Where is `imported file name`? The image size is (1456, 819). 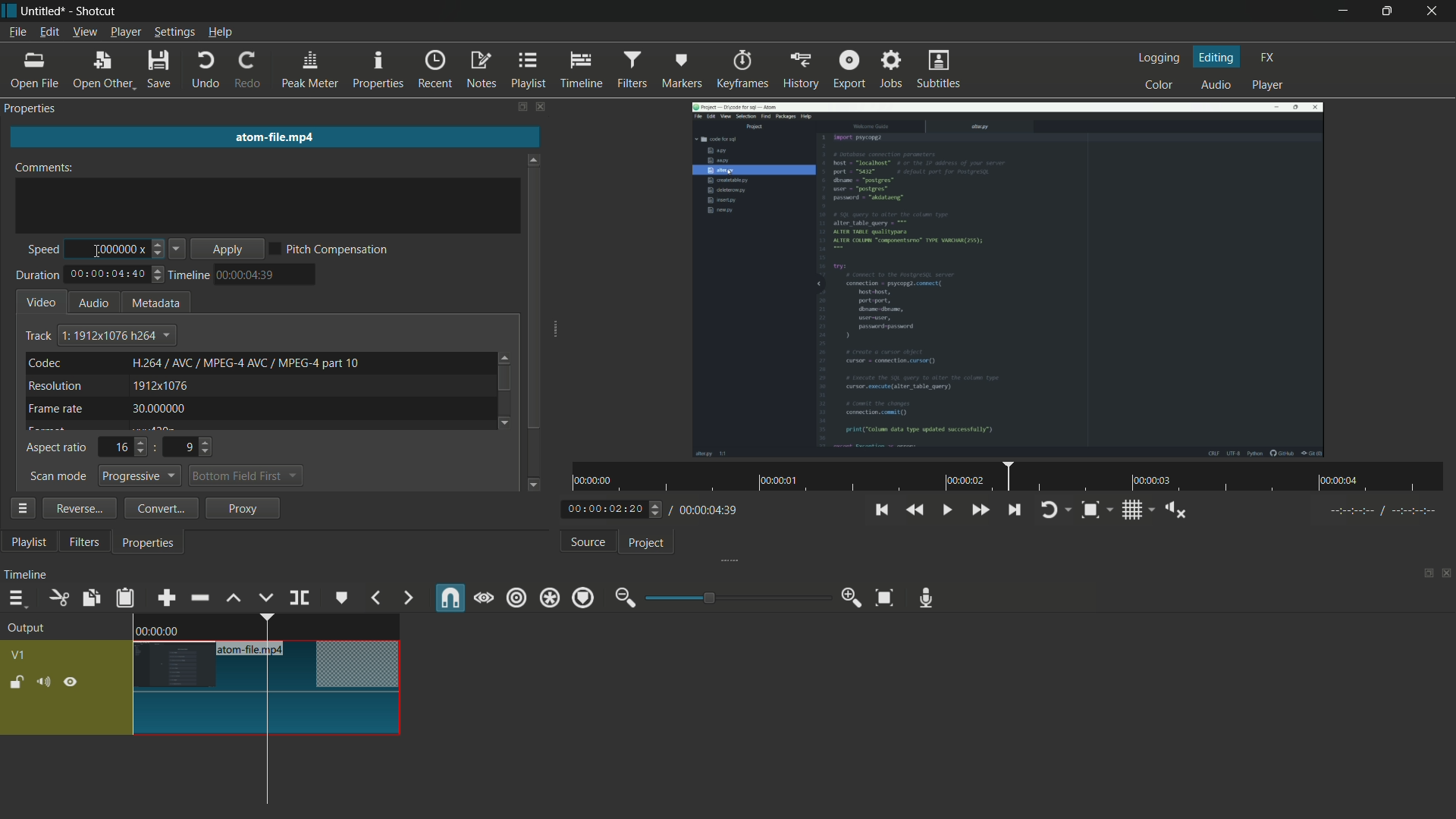
imported file name is located at coordinates (272, 135).